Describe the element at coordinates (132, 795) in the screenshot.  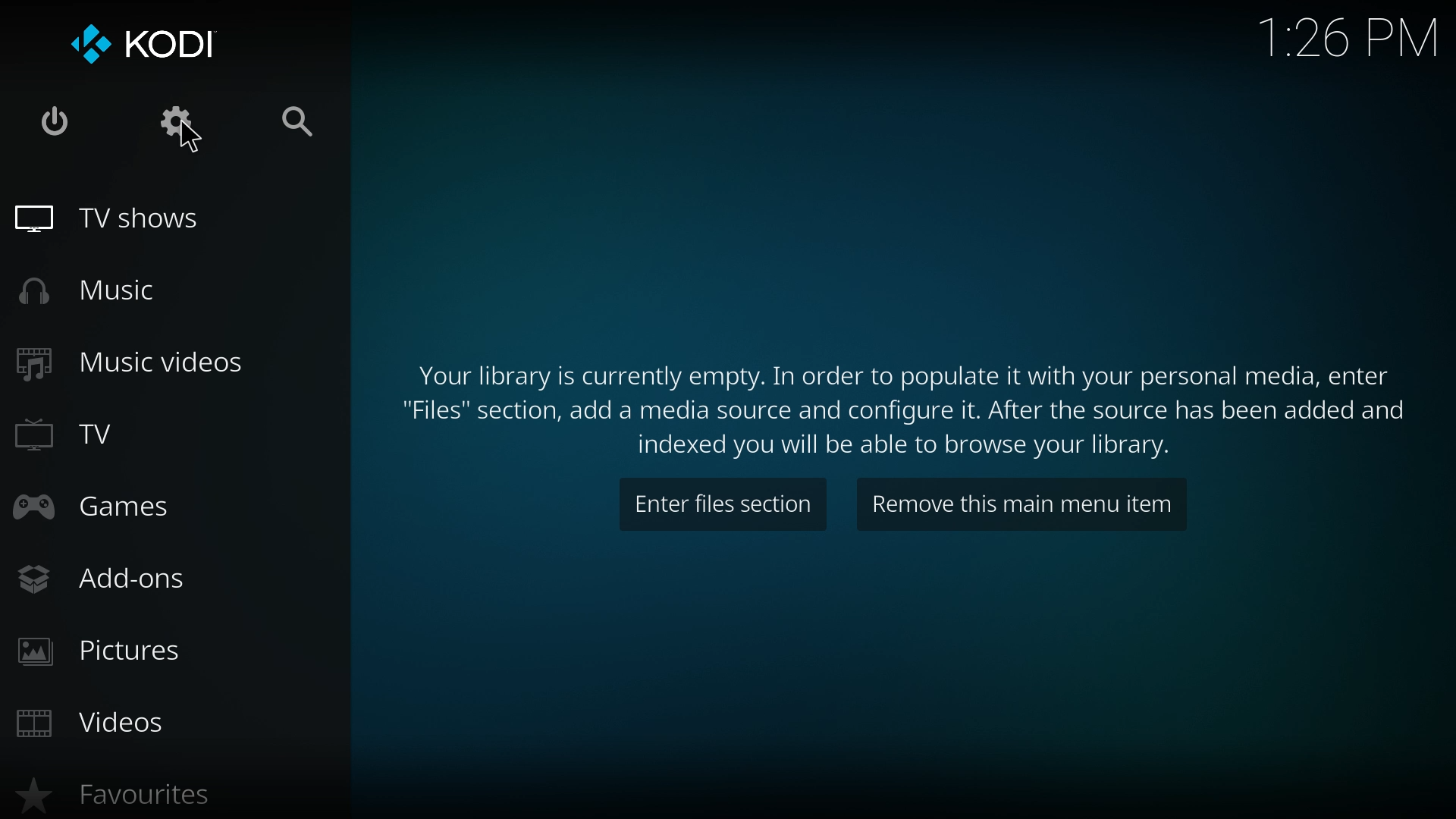
I see `favourites` at that location.